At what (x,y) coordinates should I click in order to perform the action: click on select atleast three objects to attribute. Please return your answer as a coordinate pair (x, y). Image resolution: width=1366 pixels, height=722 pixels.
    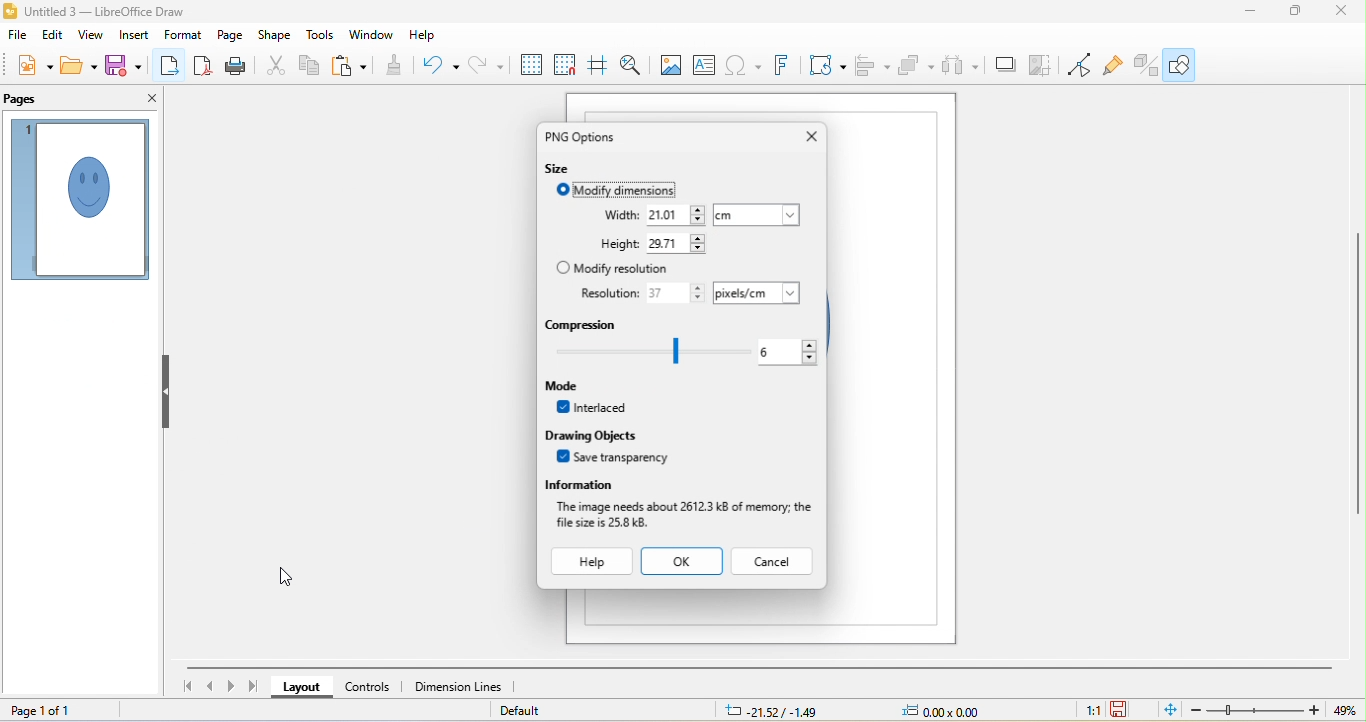
    Looking at the image, I should click on (960, 66).